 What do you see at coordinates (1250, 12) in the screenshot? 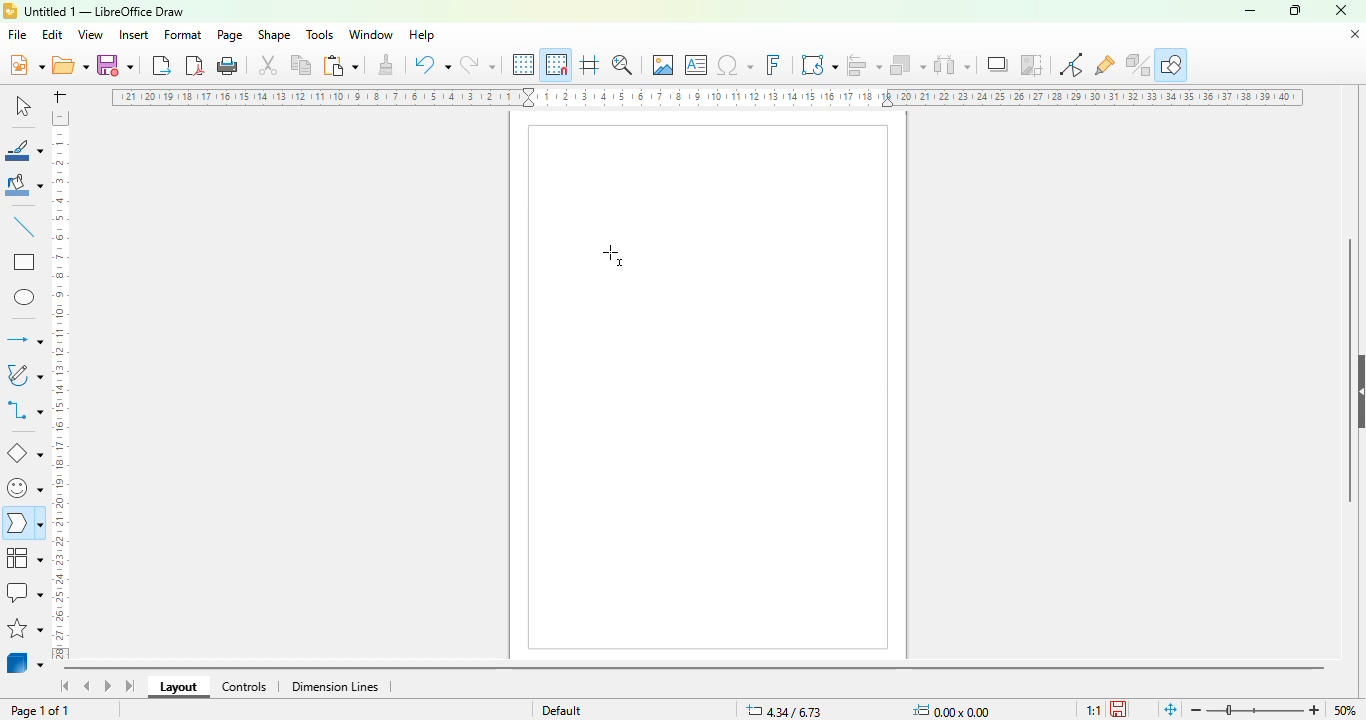
I see `minimize` at bounding box center [1250, 12].